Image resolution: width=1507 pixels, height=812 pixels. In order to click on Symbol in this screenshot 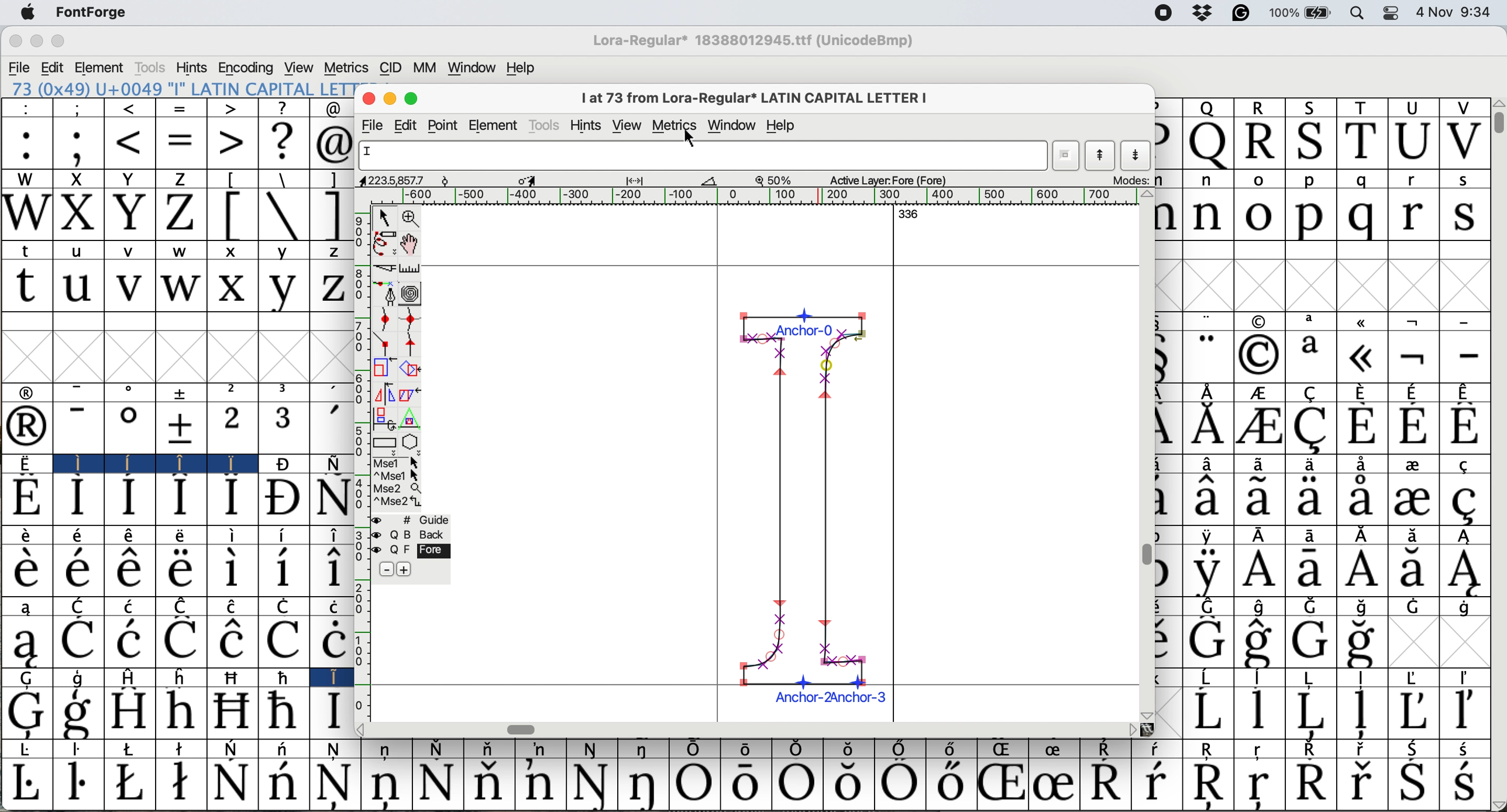, I will do `click(1312, 750)`.